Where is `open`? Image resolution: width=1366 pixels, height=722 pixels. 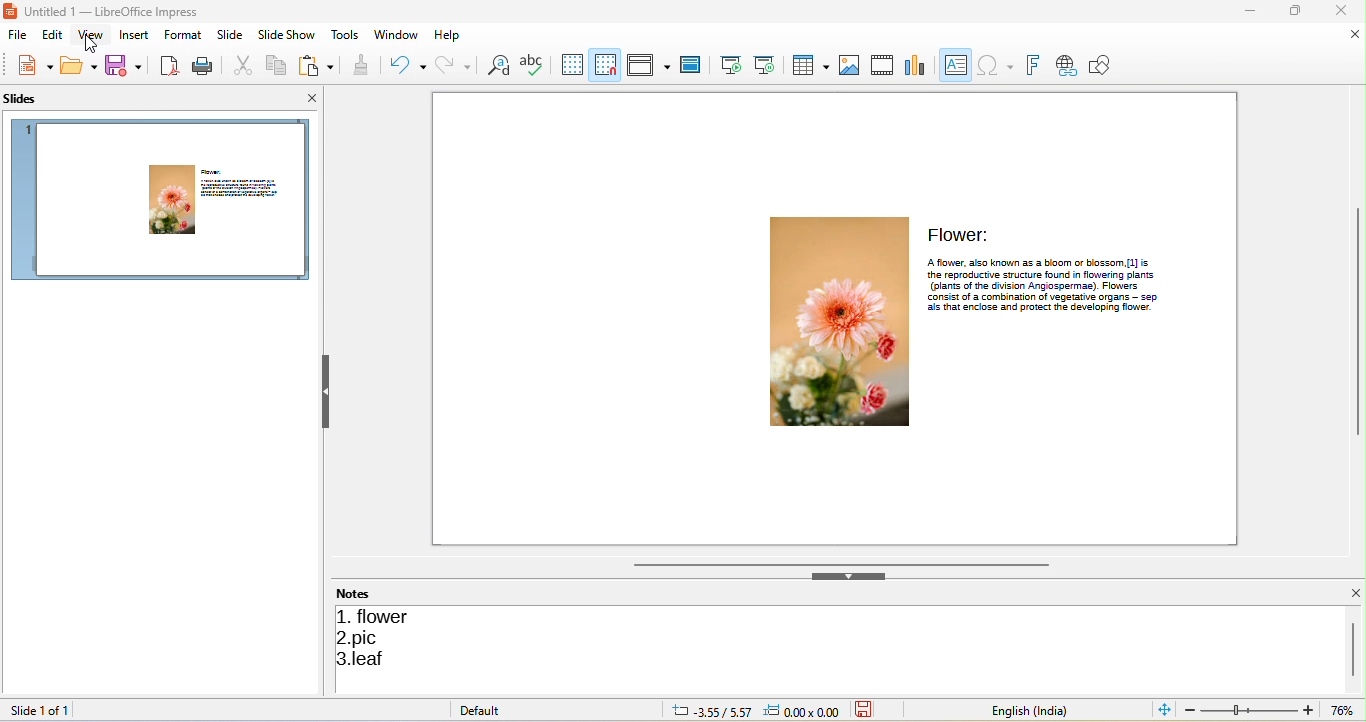
open is located at coordinates (79, 65).